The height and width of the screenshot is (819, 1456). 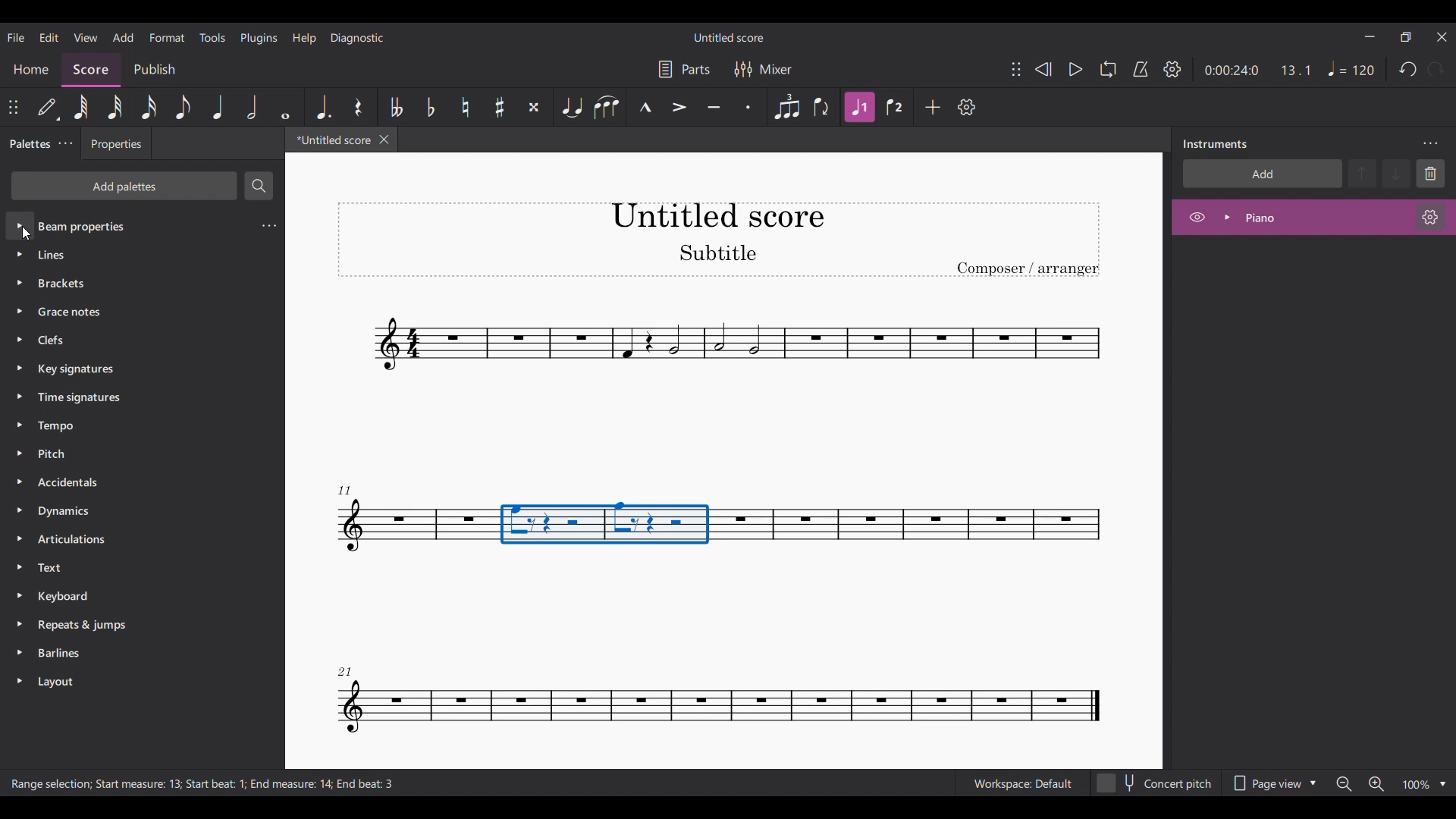 What do you see at coordinates (1075, 69) in the screenshot?
I see `Play` at bounding box center [1075, 69].